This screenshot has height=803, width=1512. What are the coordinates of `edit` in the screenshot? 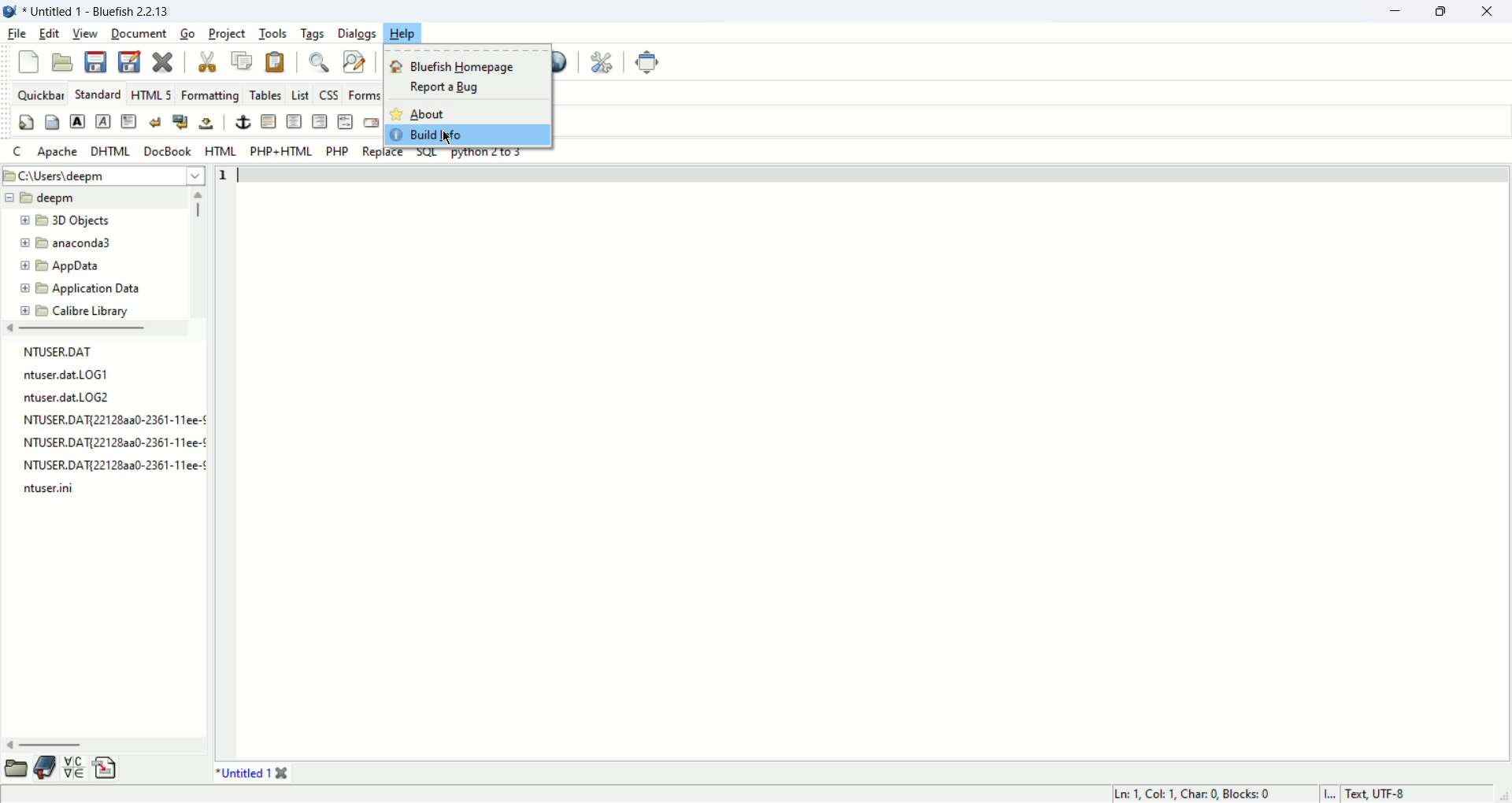 It's located at (48, 35).